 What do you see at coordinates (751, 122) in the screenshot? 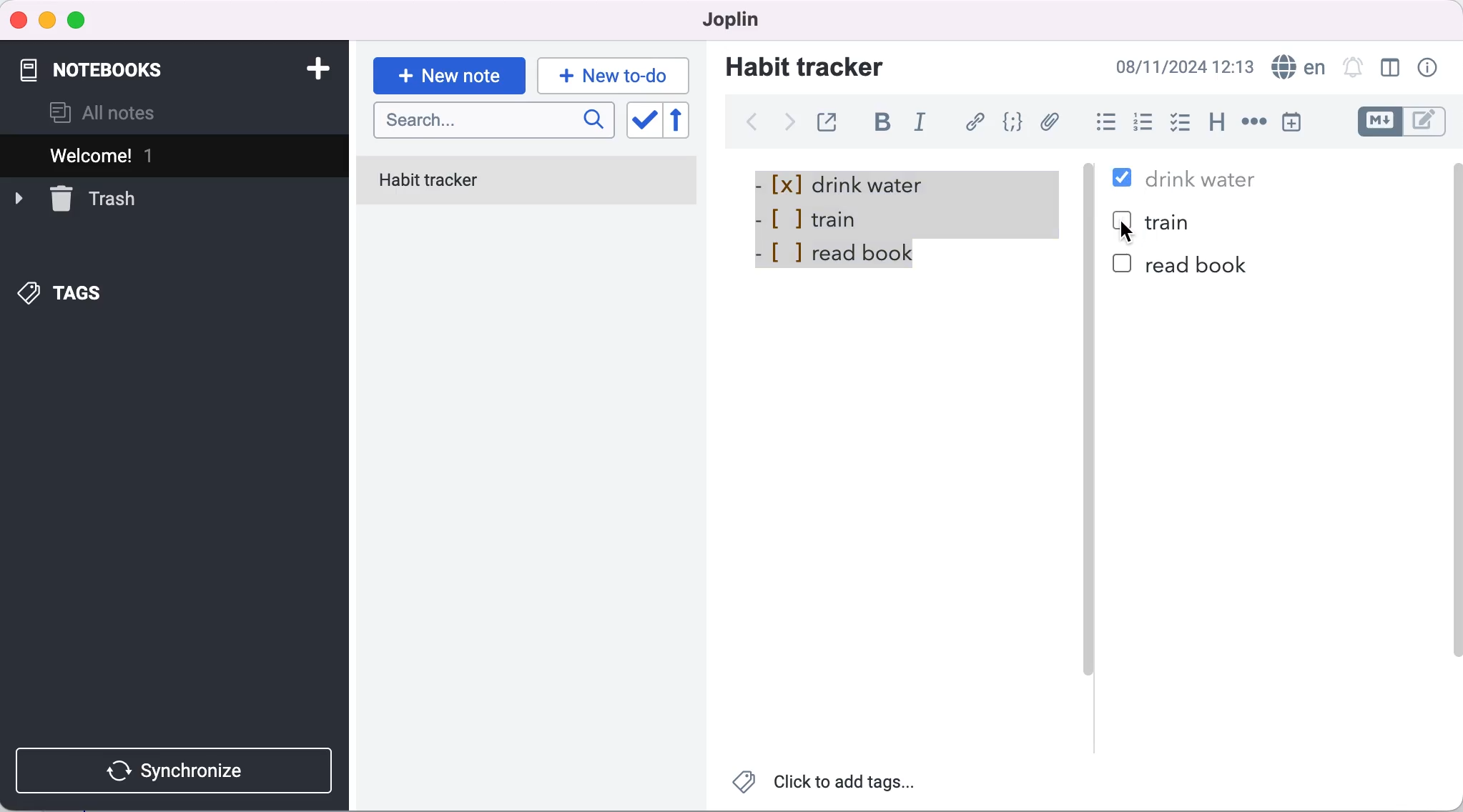
I see `back` at bounding box center [751, 122].